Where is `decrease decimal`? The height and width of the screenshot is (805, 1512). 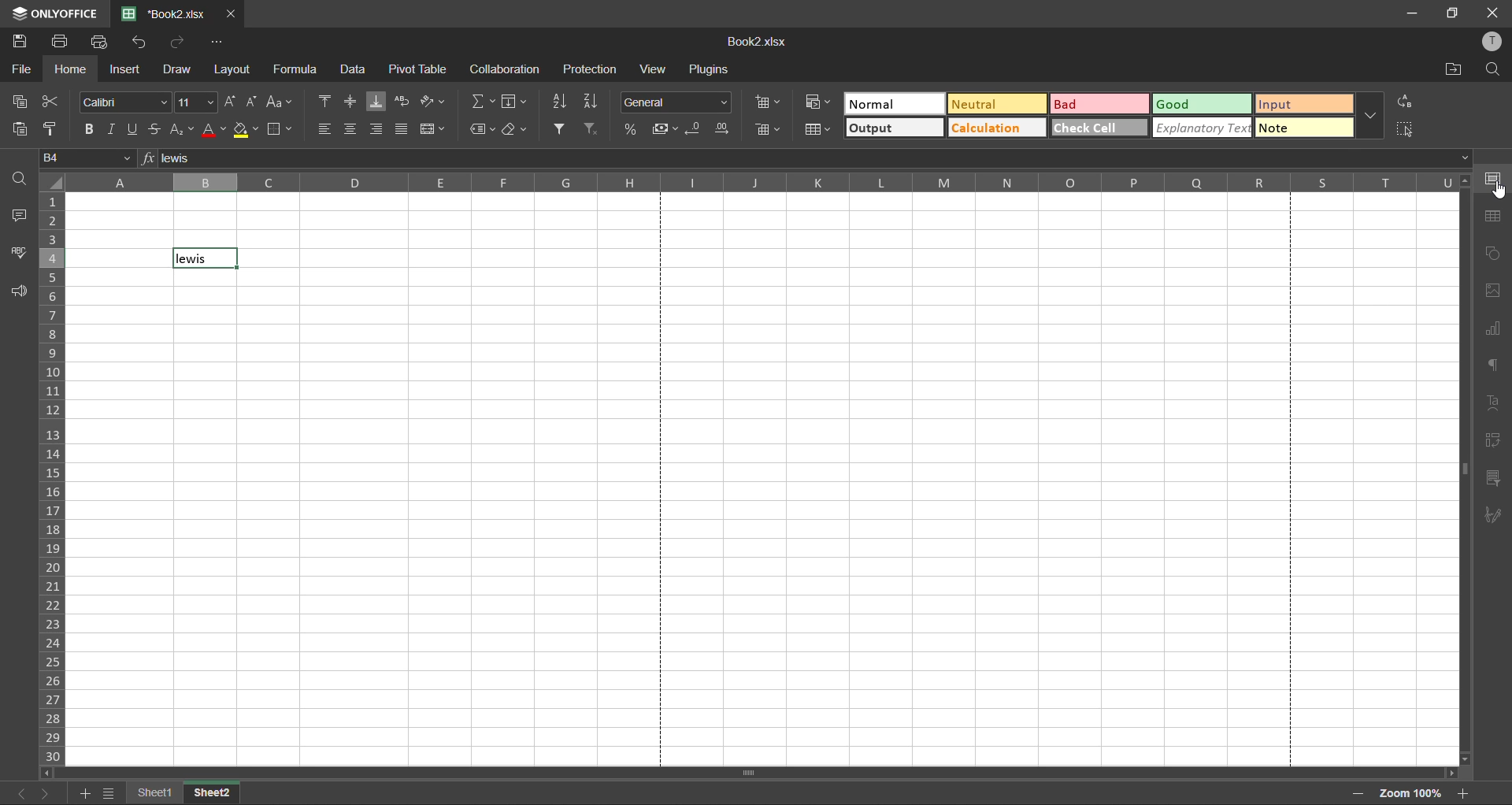
decrease decimal is located at coordinates (694, 130).